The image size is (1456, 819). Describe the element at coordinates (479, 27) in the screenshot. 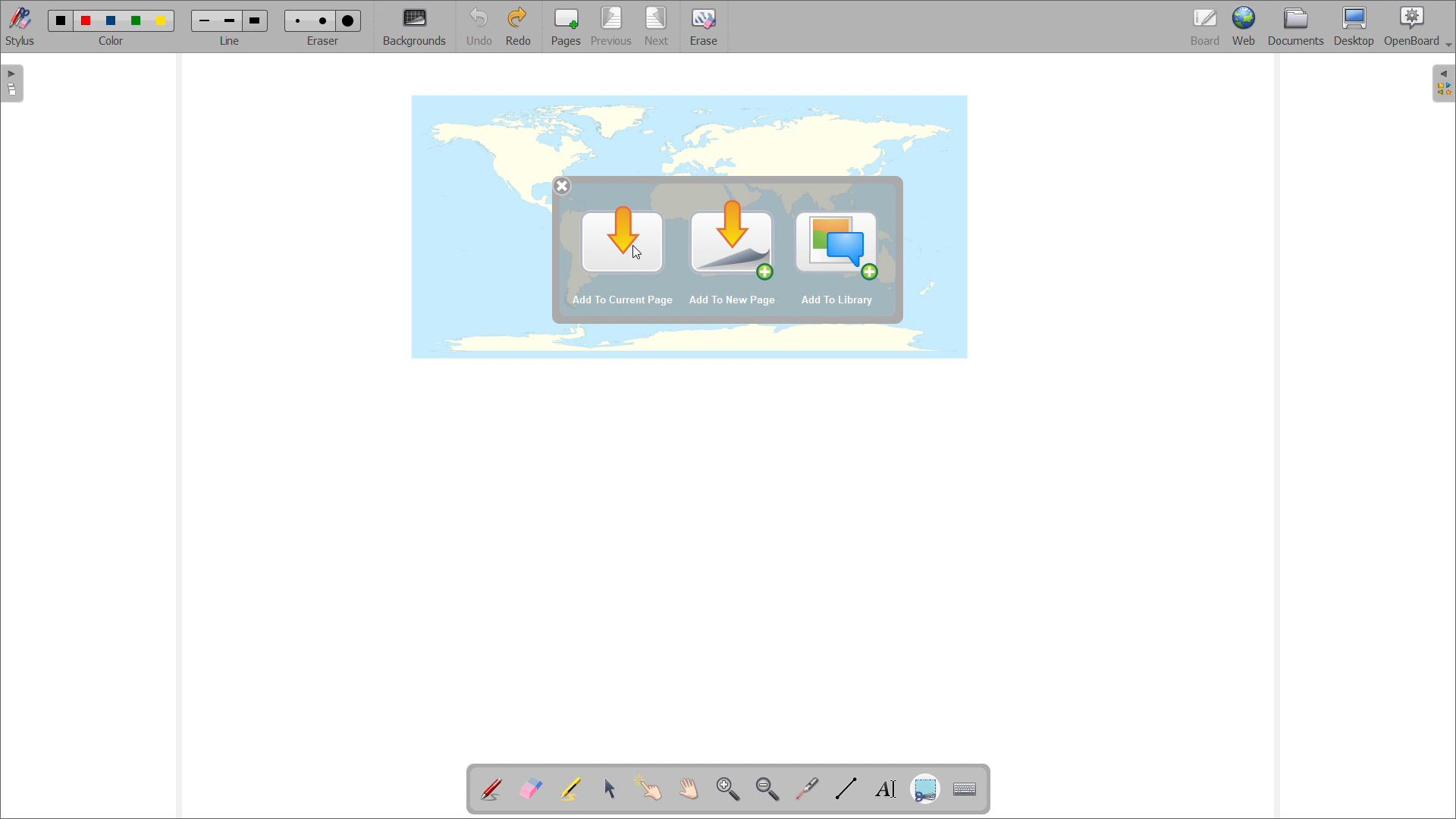

I see `undo` at that location.